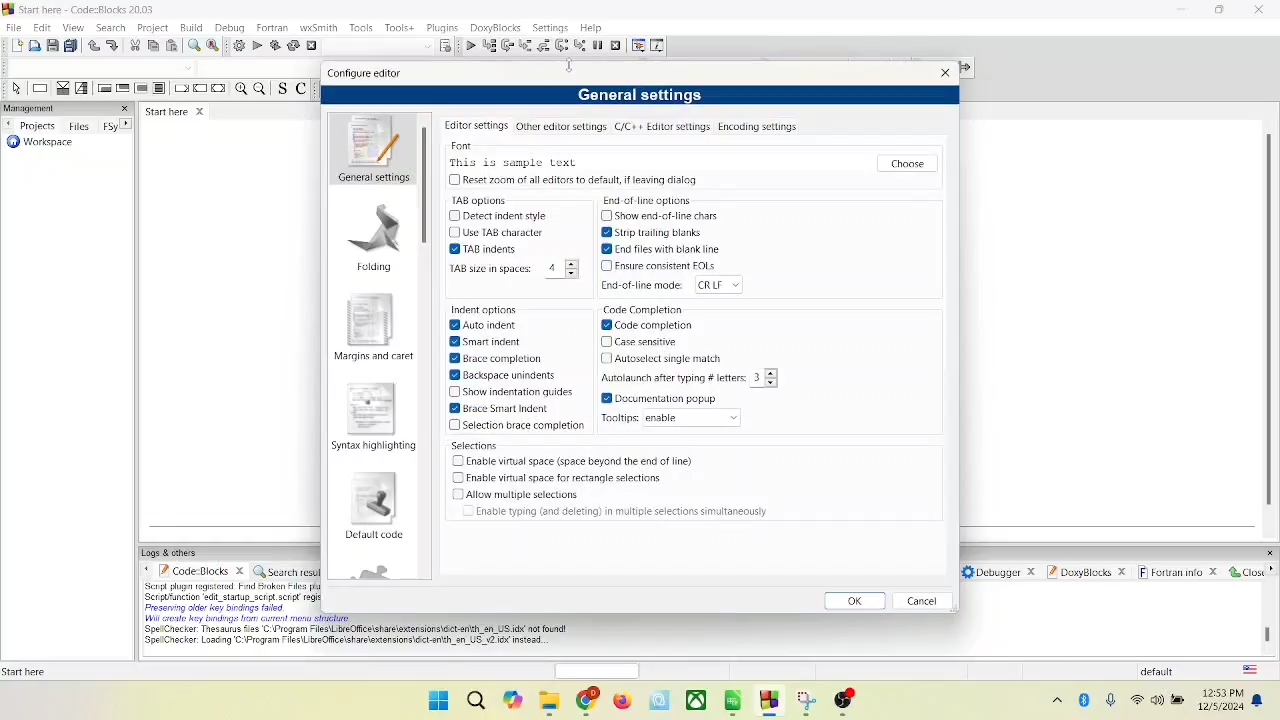  What do you see at coordinates (459, 144) in the screenshot?
I see `font` at bounding box center [459, 144].